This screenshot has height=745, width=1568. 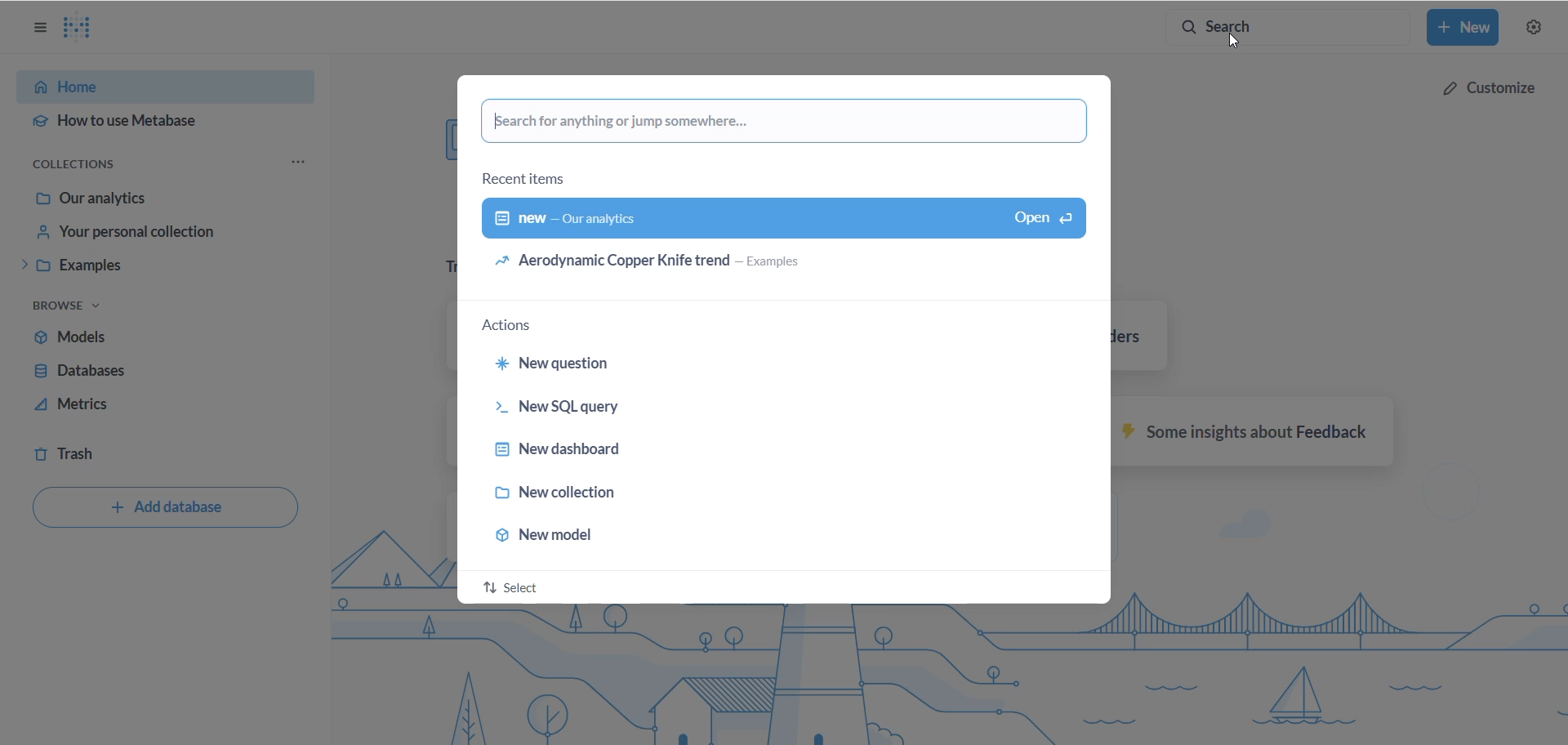 I want to click on COLLECTION OPTIONS, so click(x=85, y=165).